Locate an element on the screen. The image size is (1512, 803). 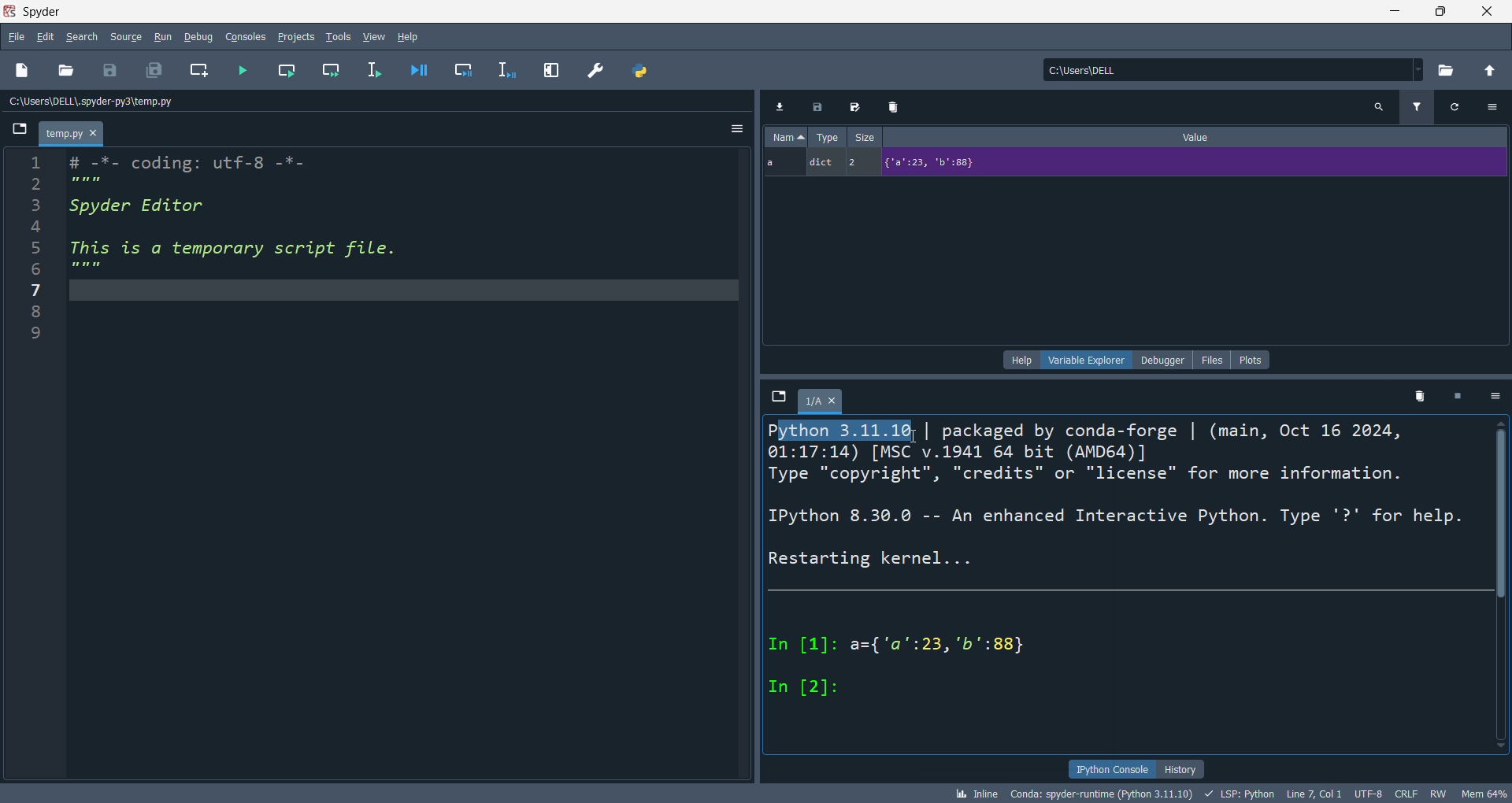
preferences is located at coordinates (598, 72).